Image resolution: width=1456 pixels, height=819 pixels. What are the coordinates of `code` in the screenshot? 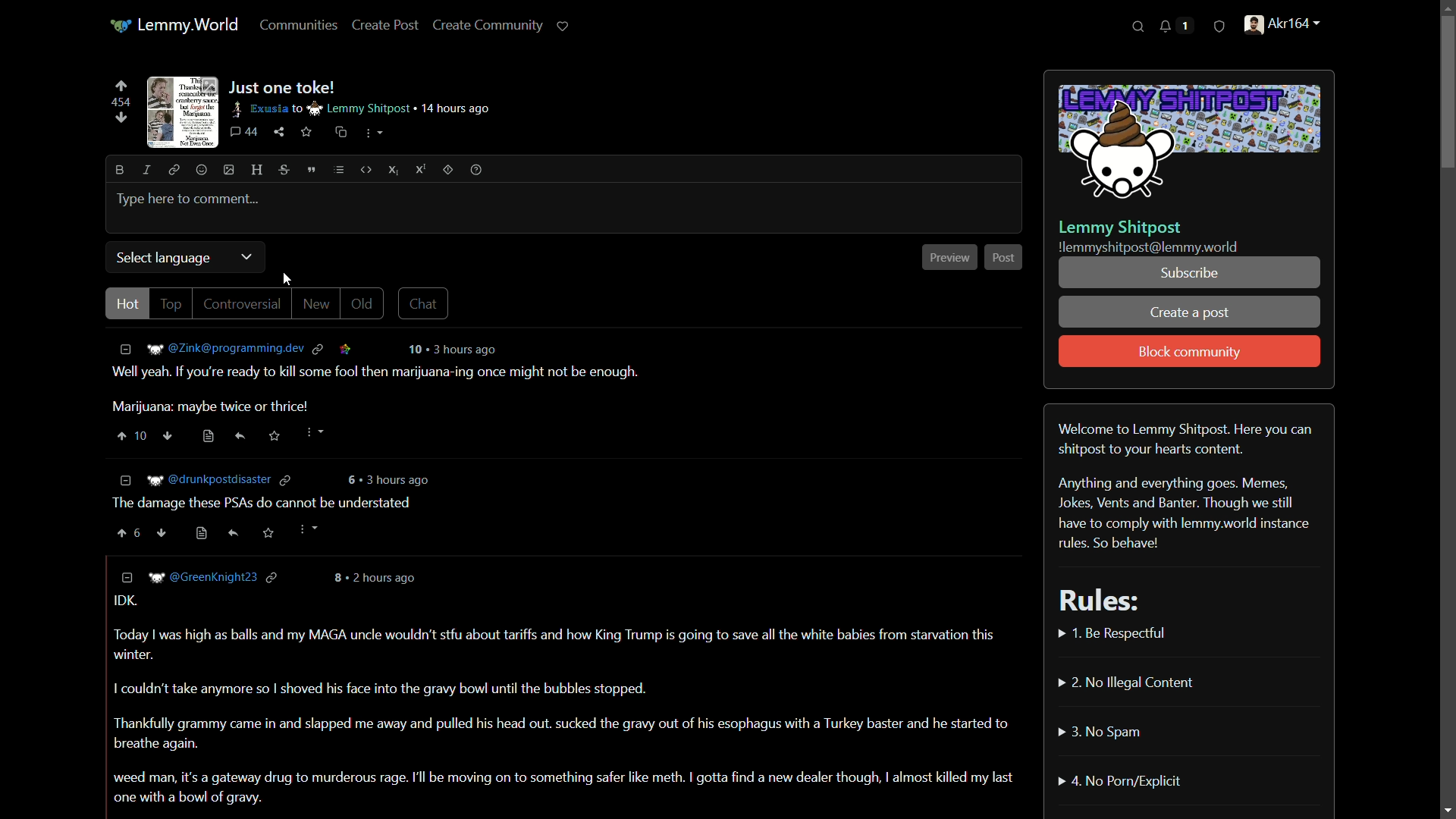 It's located at (365, 171).